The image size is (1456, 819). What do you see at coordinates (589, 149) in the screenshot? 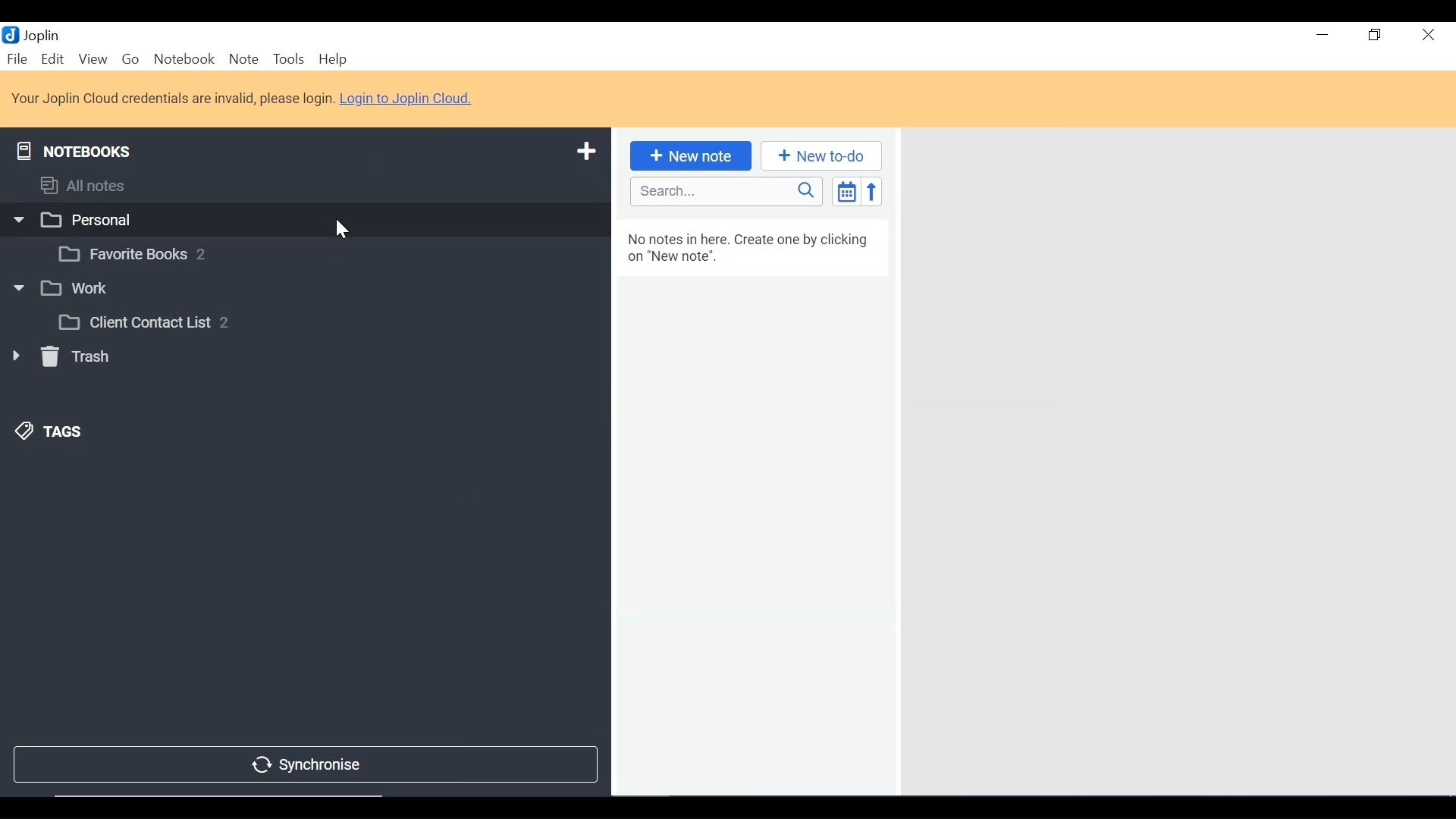
I see `Add a New Notebook` at bounding box center [589, 149].